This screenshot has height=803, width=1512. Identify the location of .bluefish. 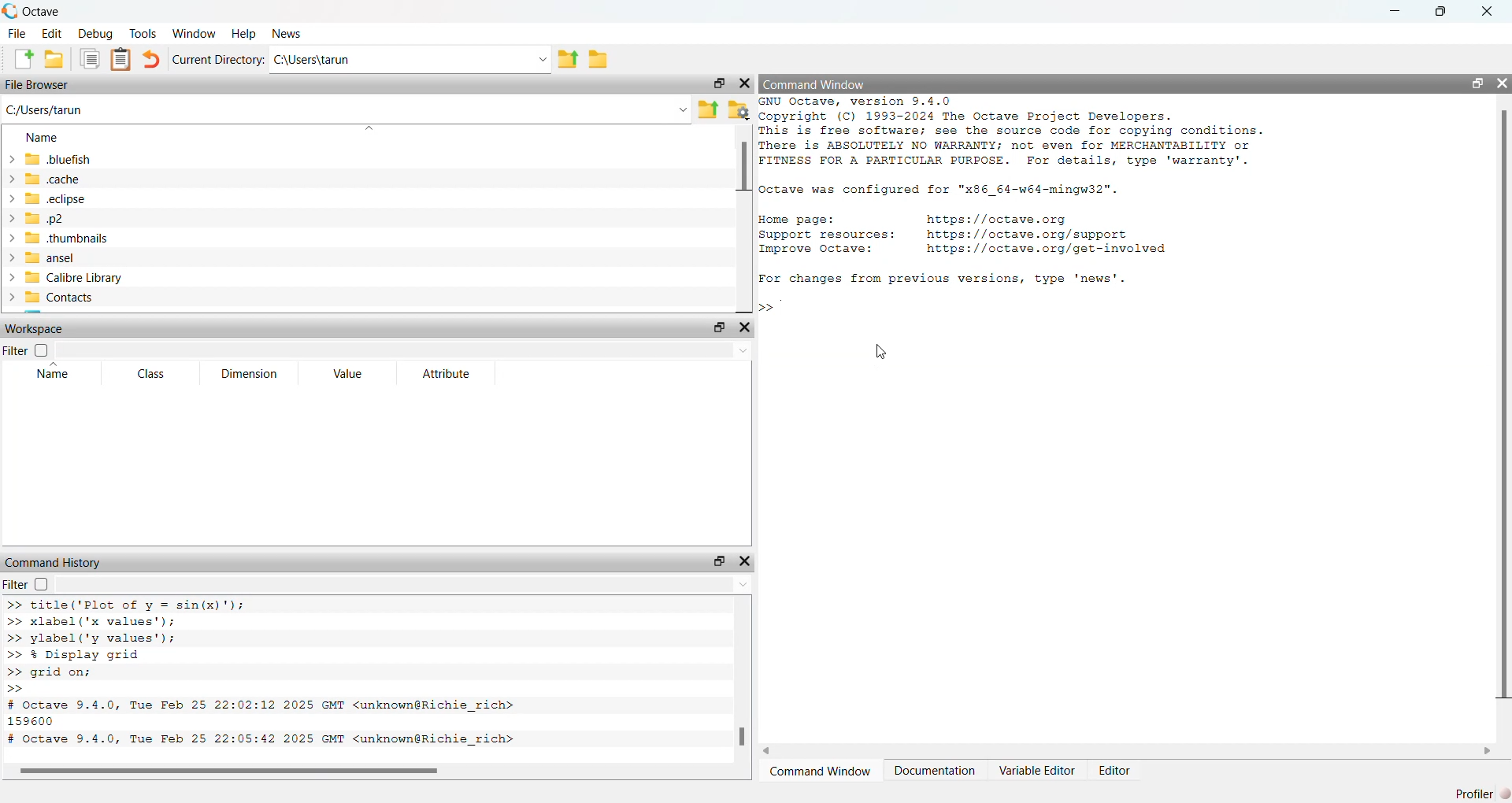
(55, 159).